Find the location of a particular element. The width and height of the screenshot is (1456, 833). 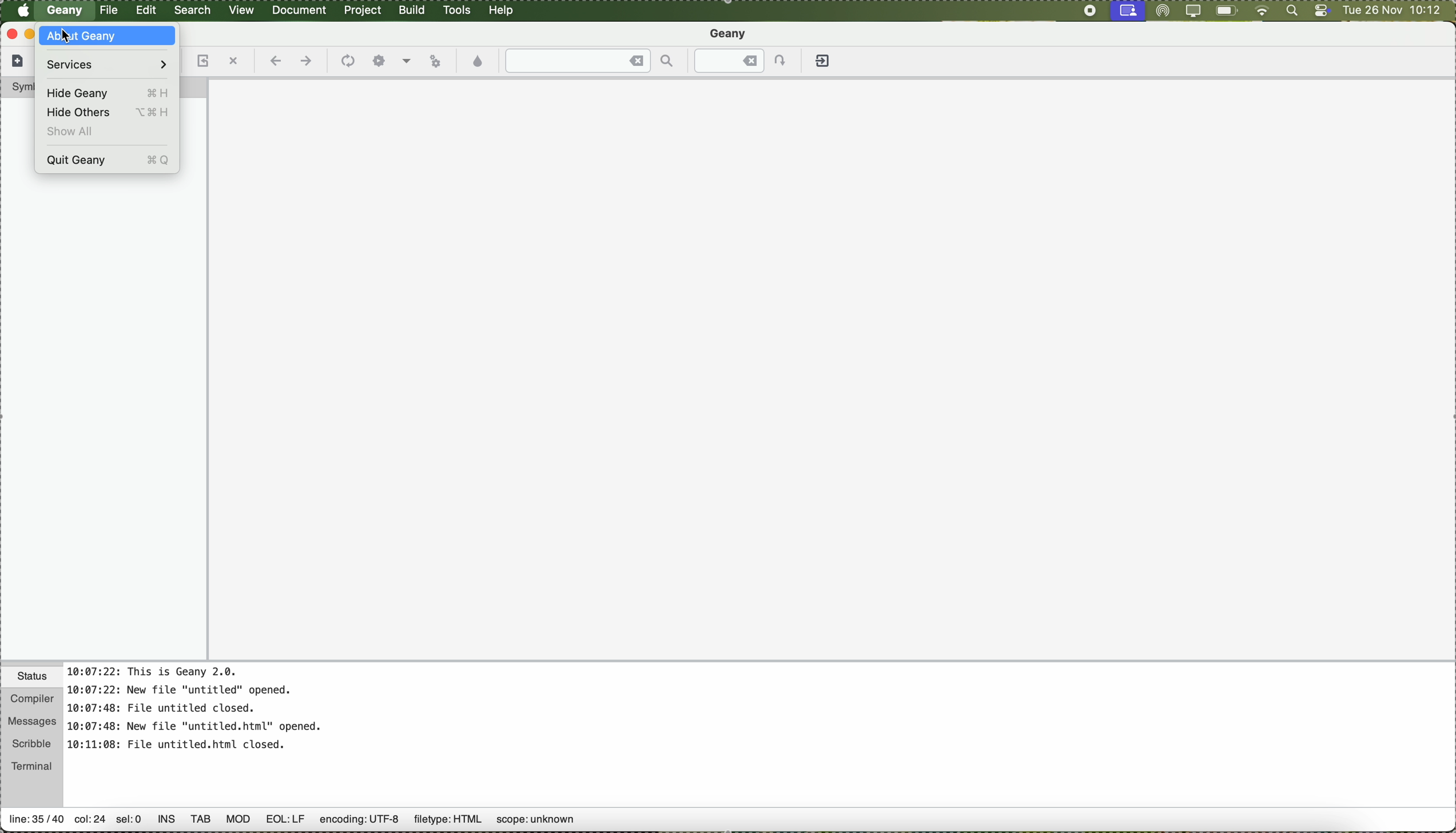

click on Geany is located at coordinates (66, 14).